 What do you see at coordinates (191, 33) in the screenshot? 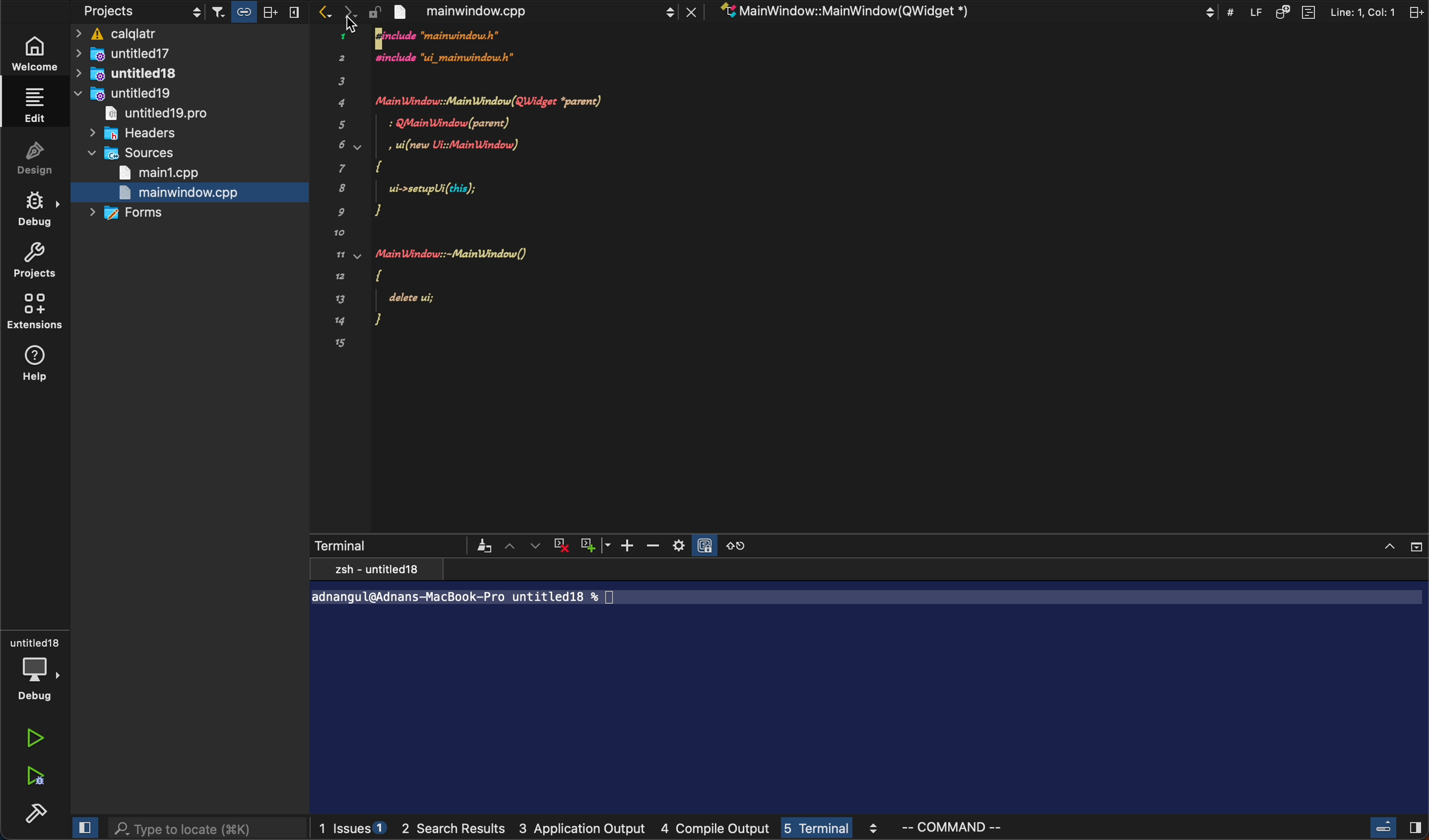
I see `calqaltr` at bounding box center [191, 33].